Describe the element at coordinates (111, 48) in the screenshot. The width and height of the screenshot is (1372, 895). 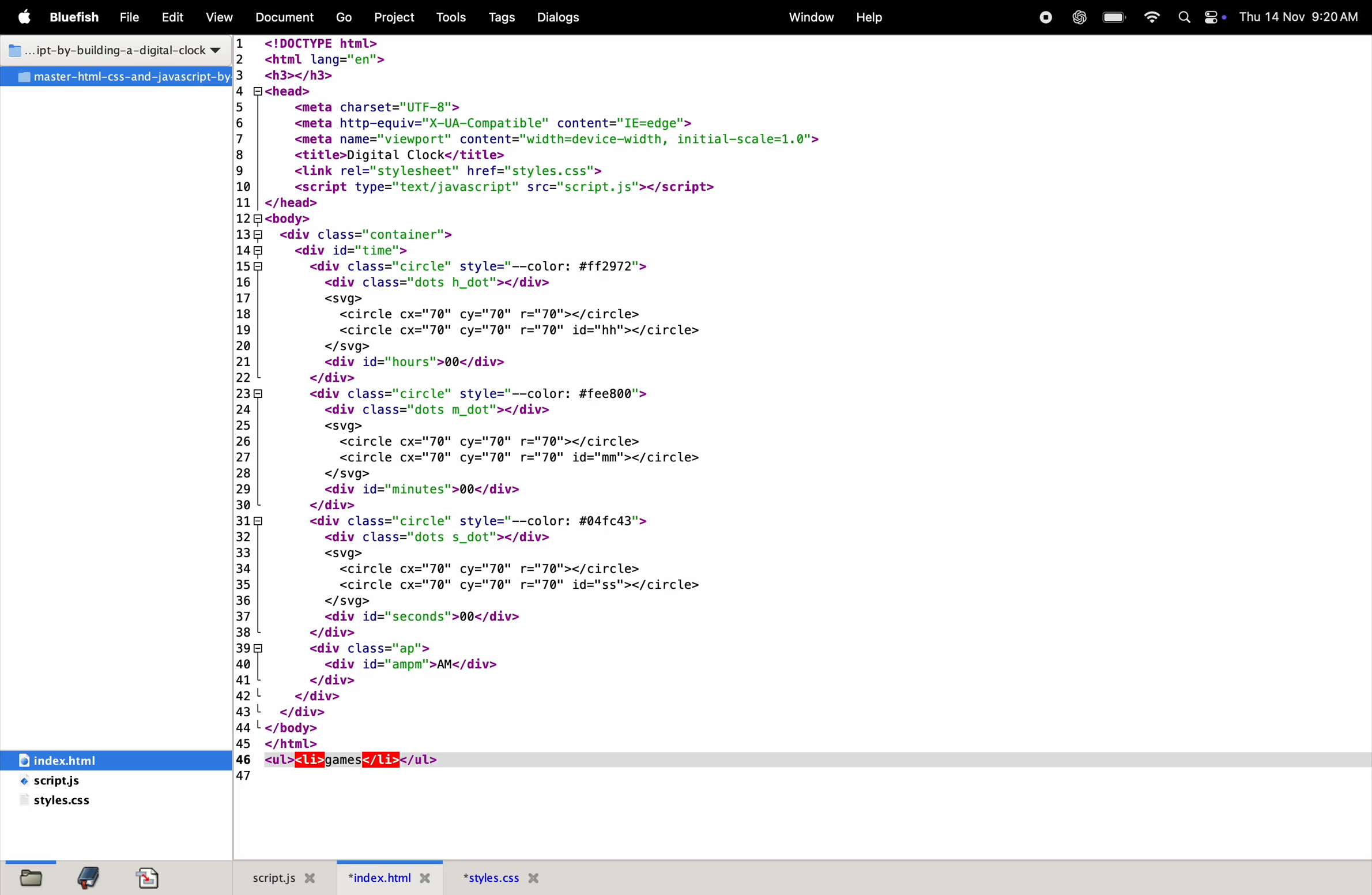
I see `title` at that location.